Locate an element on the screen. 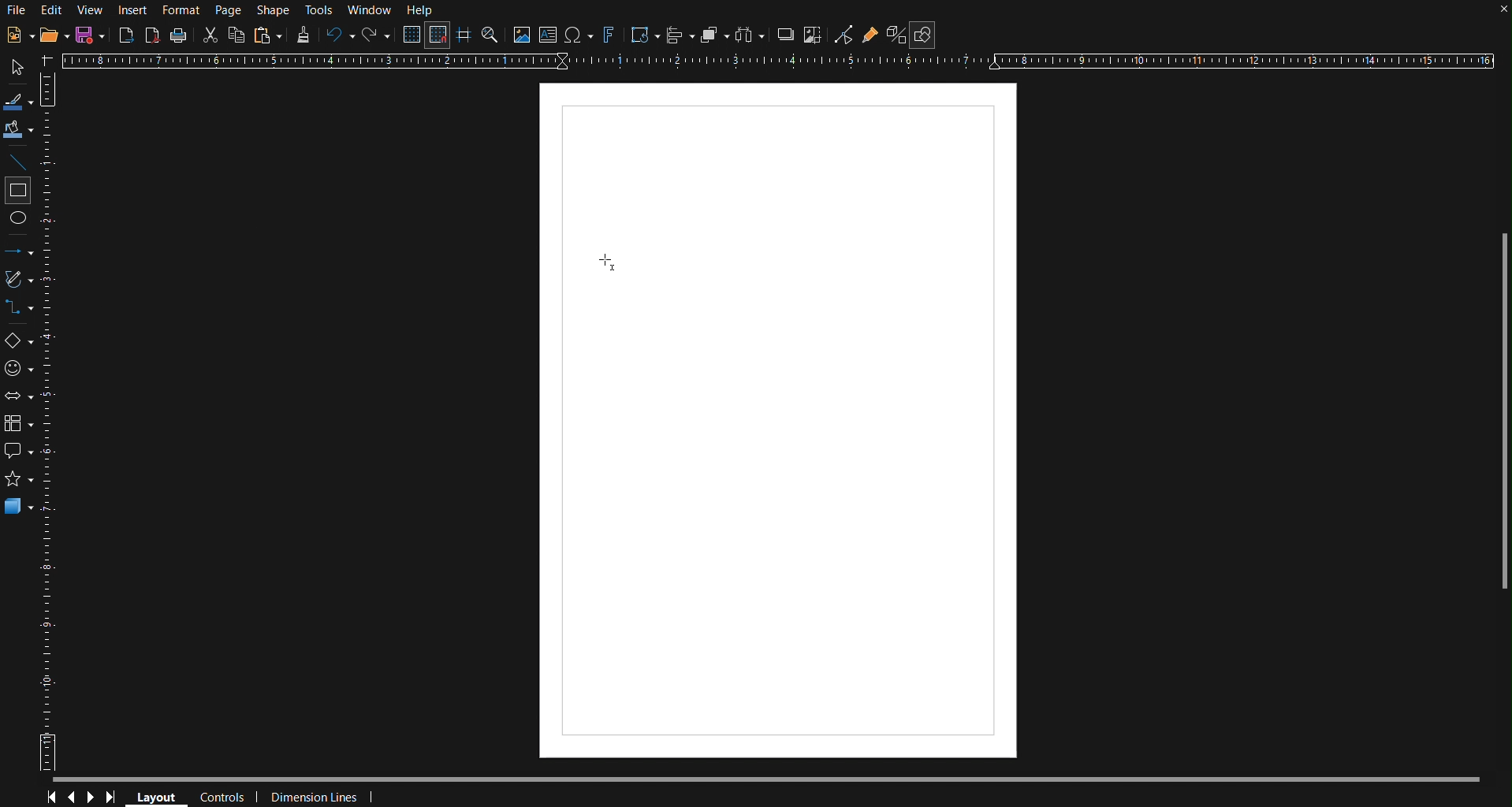  Zoom and Pan is located at coordinates (490, 34).